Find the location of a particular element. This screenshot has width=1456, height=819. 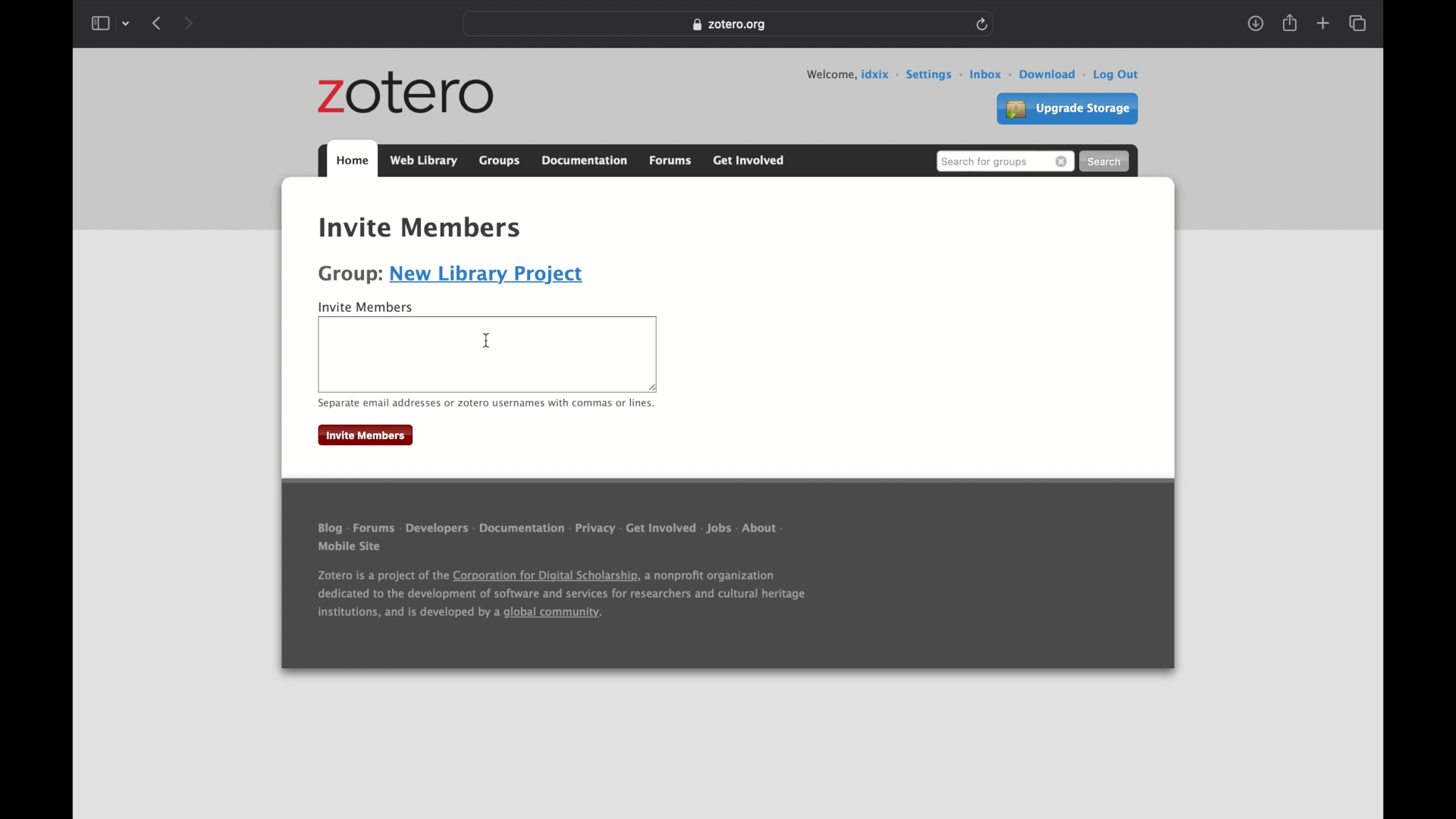

mobile site is located at coordinates (350, 549).